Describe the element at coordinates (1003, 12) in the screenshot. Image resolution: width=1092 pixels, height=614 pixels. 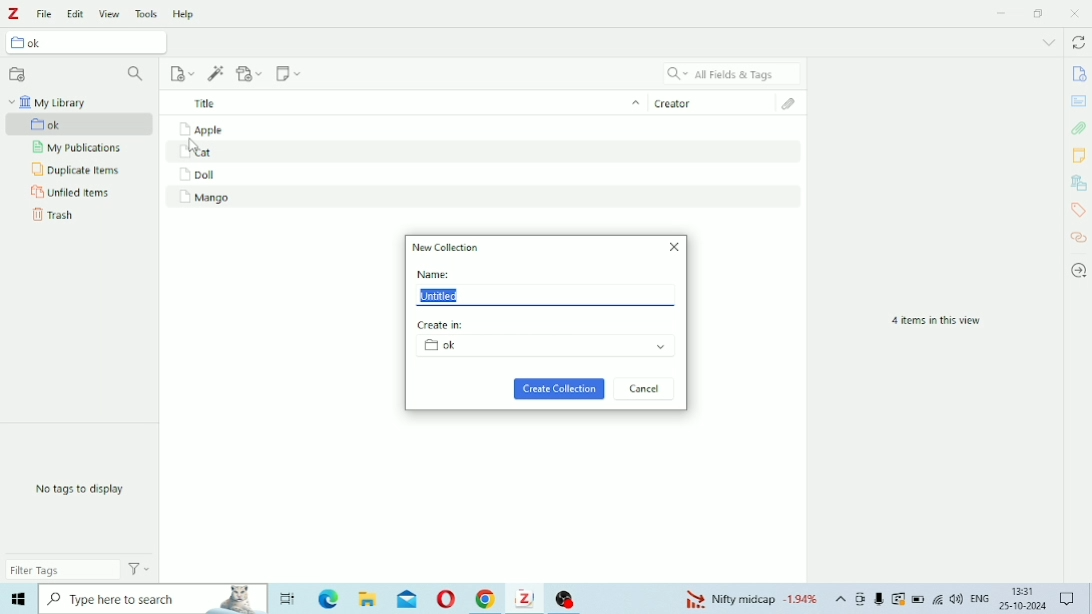
I see `Minimize` at that location.